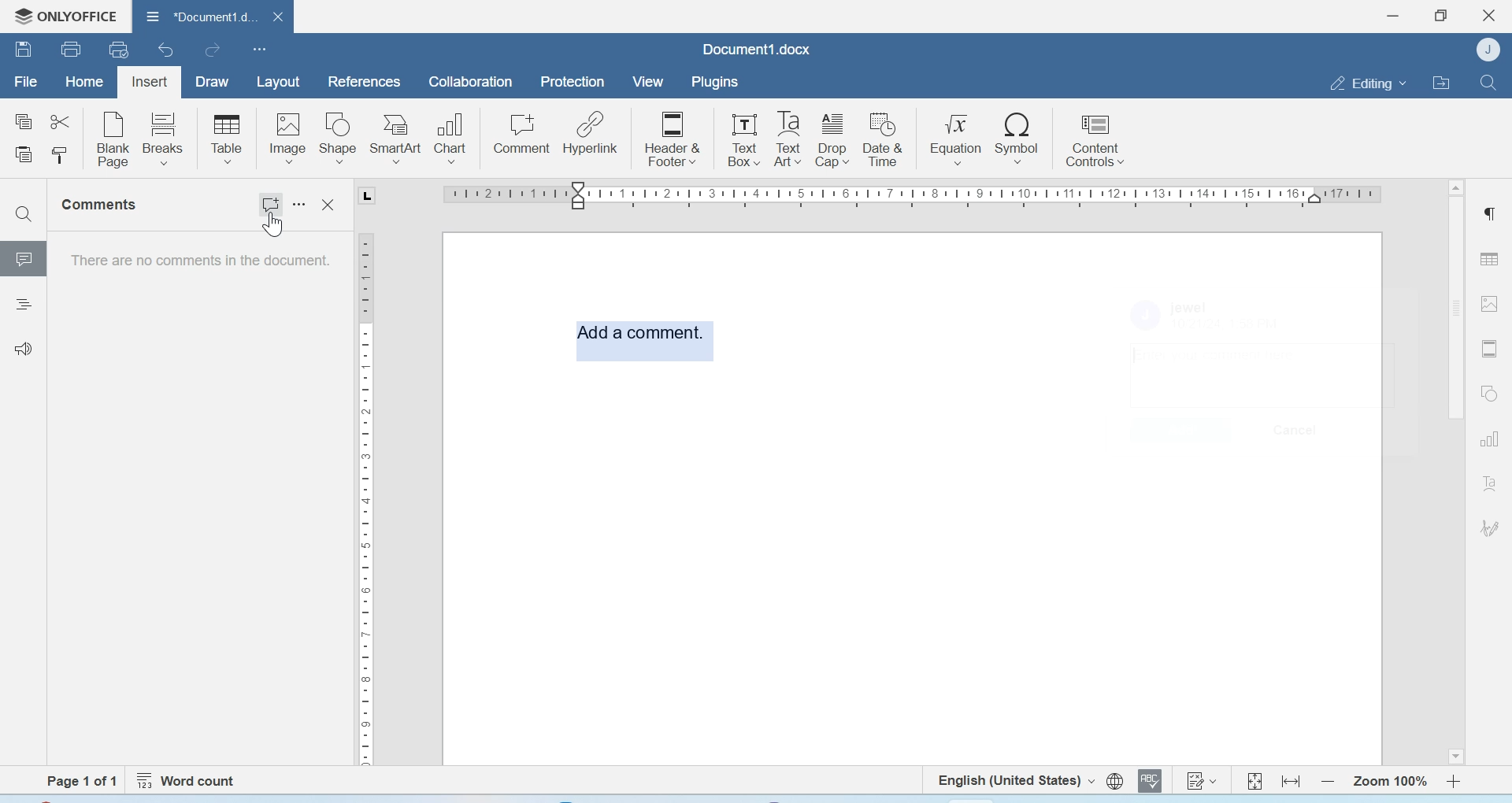  Describe the element at coordinates (713, 82) in the screenshot. I see `Plugins` at that location.